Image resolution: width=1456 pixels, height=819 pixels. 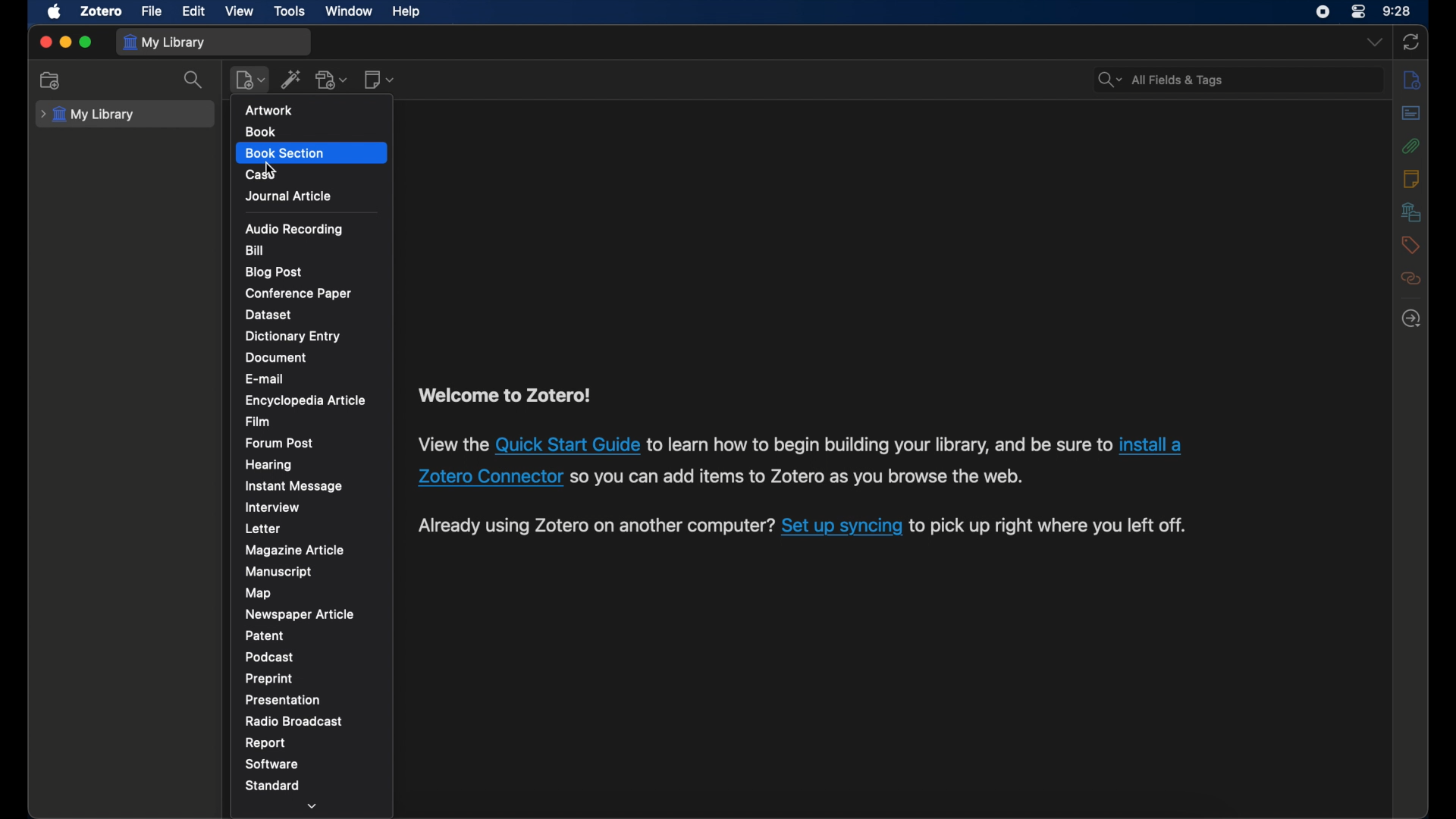 What do you see at coordinates (264, 635) in the screenshot?
I see `patent` at bounding box center [264, 635].